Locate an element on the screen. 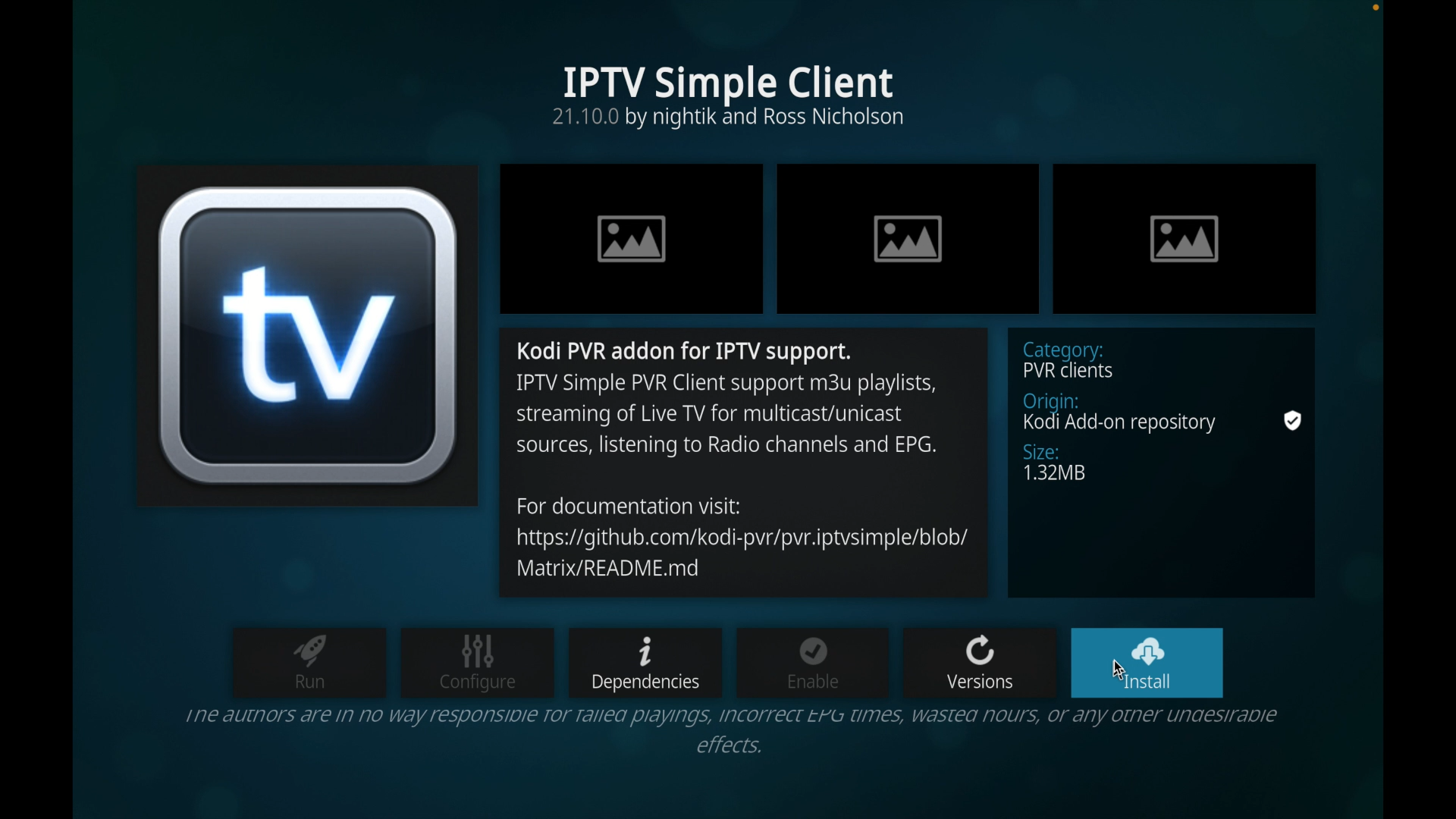 The height and width of the screenshot is (819, 1456). .cursor is located at coordinates (1117, 667).